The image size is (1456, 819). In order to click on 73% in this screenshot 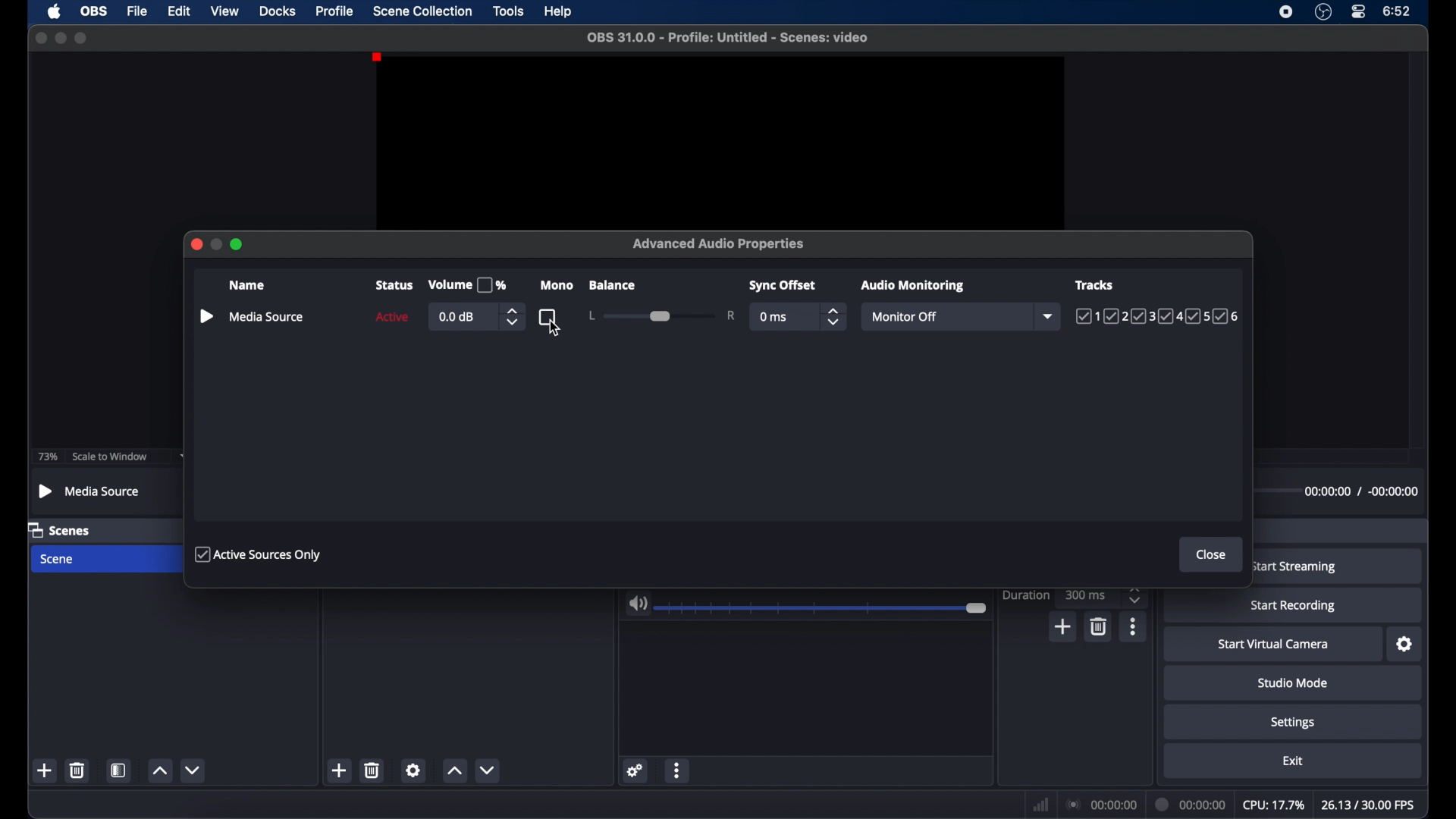, I will do `click(46, 457)`.